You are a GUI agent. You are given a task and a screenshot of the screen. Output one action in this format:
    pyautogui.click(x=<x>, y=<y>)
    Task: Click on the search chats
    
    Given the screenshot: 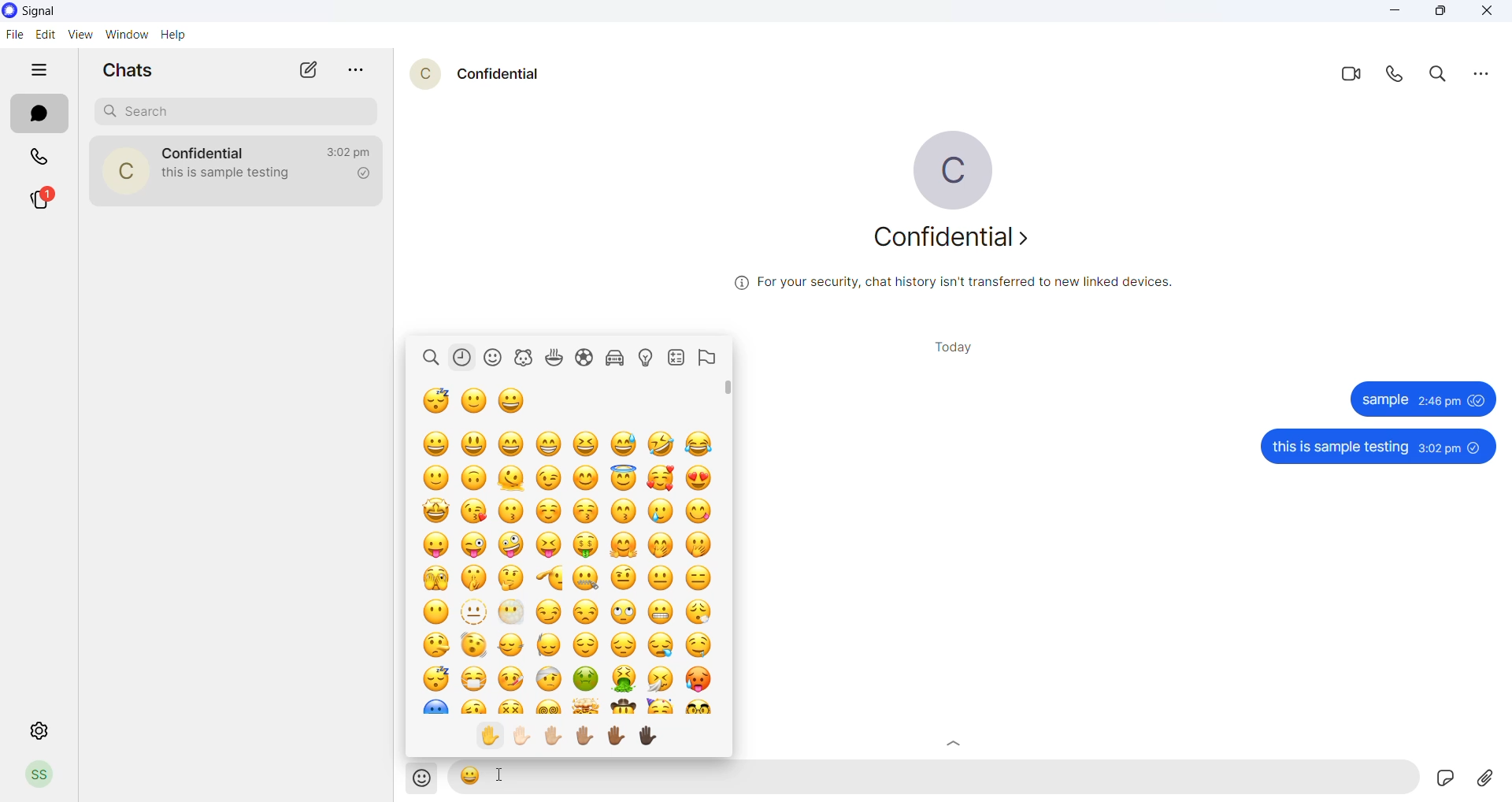 What is the action you would take?
    pyautogui.click(x=235, y=111)
    